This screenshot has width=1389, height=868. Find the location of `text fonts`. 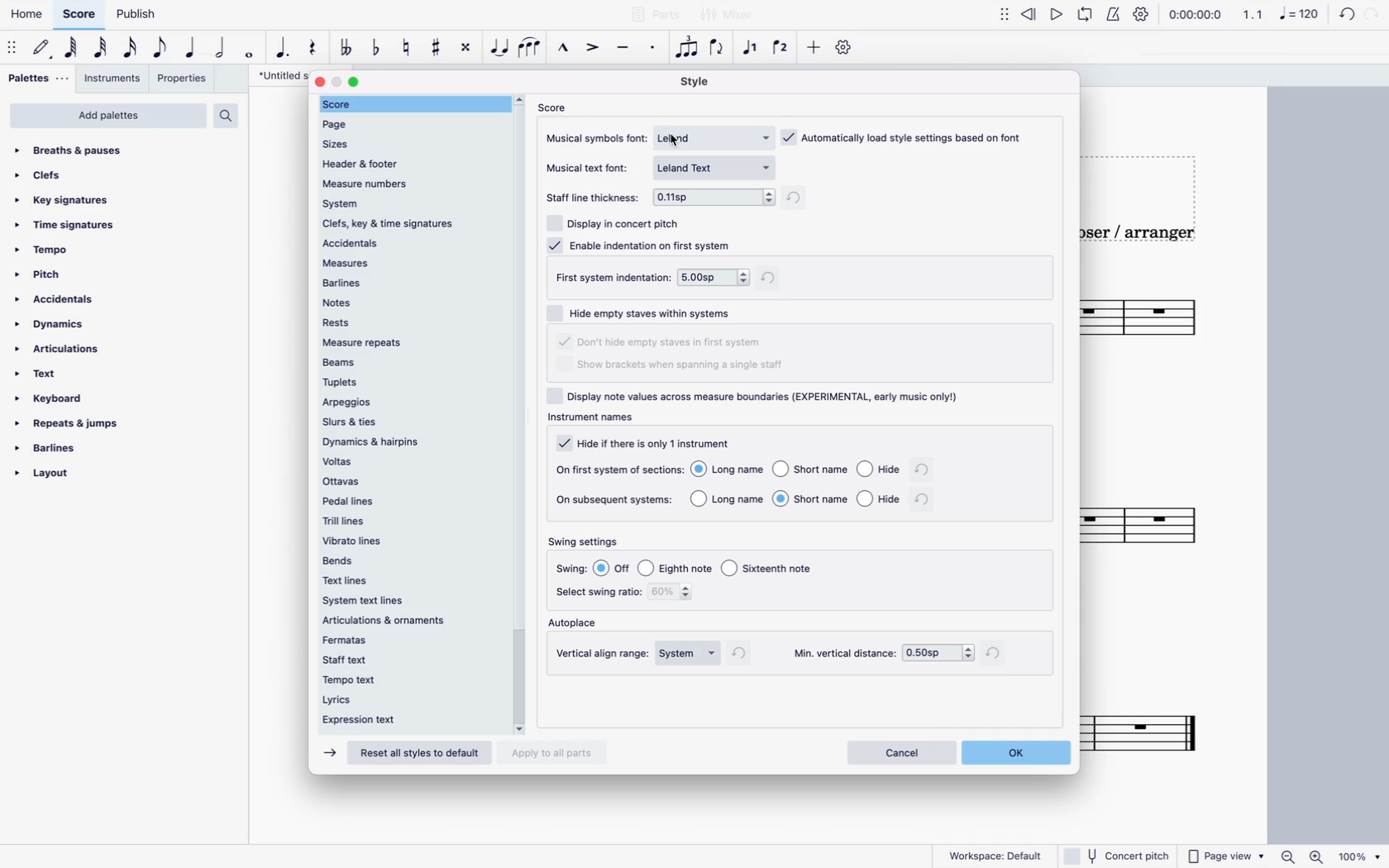

text fonts is located at coordinates (718, 167).